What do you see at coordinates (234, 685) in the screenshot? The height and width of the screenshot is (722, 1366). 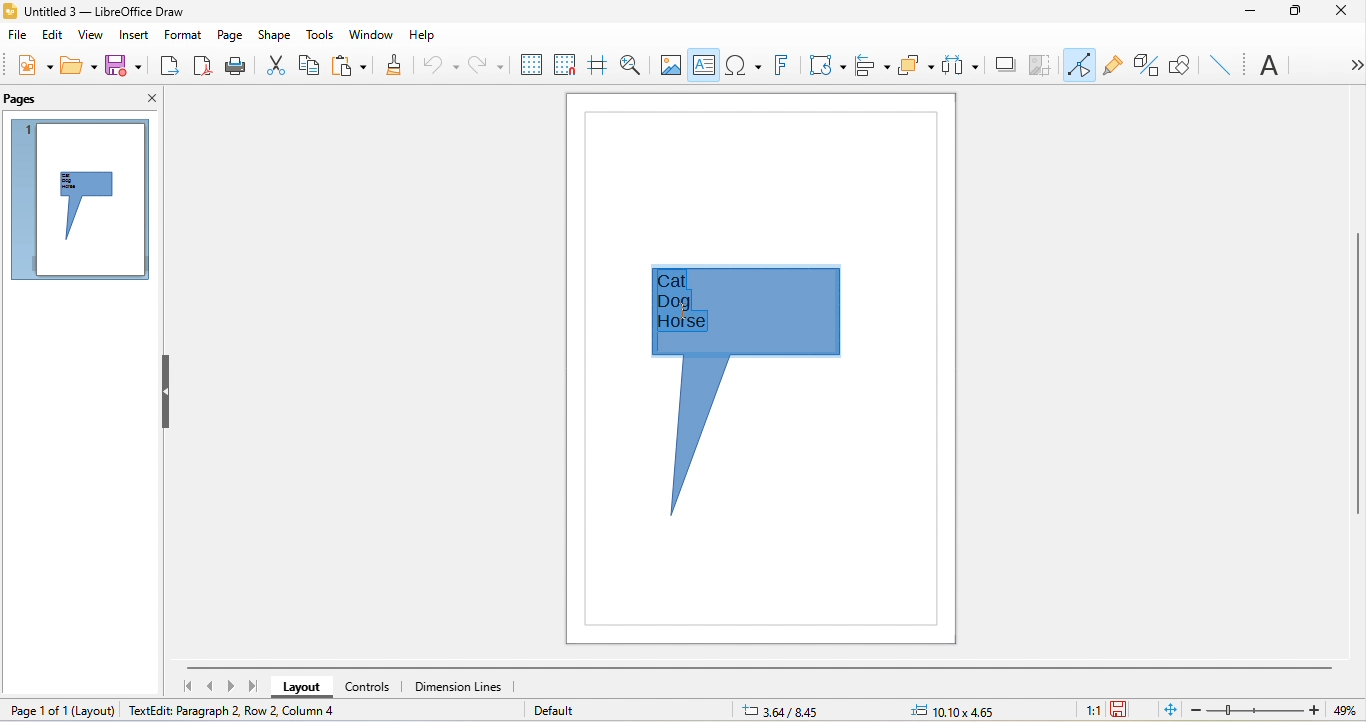 I see `next page` at bounding box center [234, 685].